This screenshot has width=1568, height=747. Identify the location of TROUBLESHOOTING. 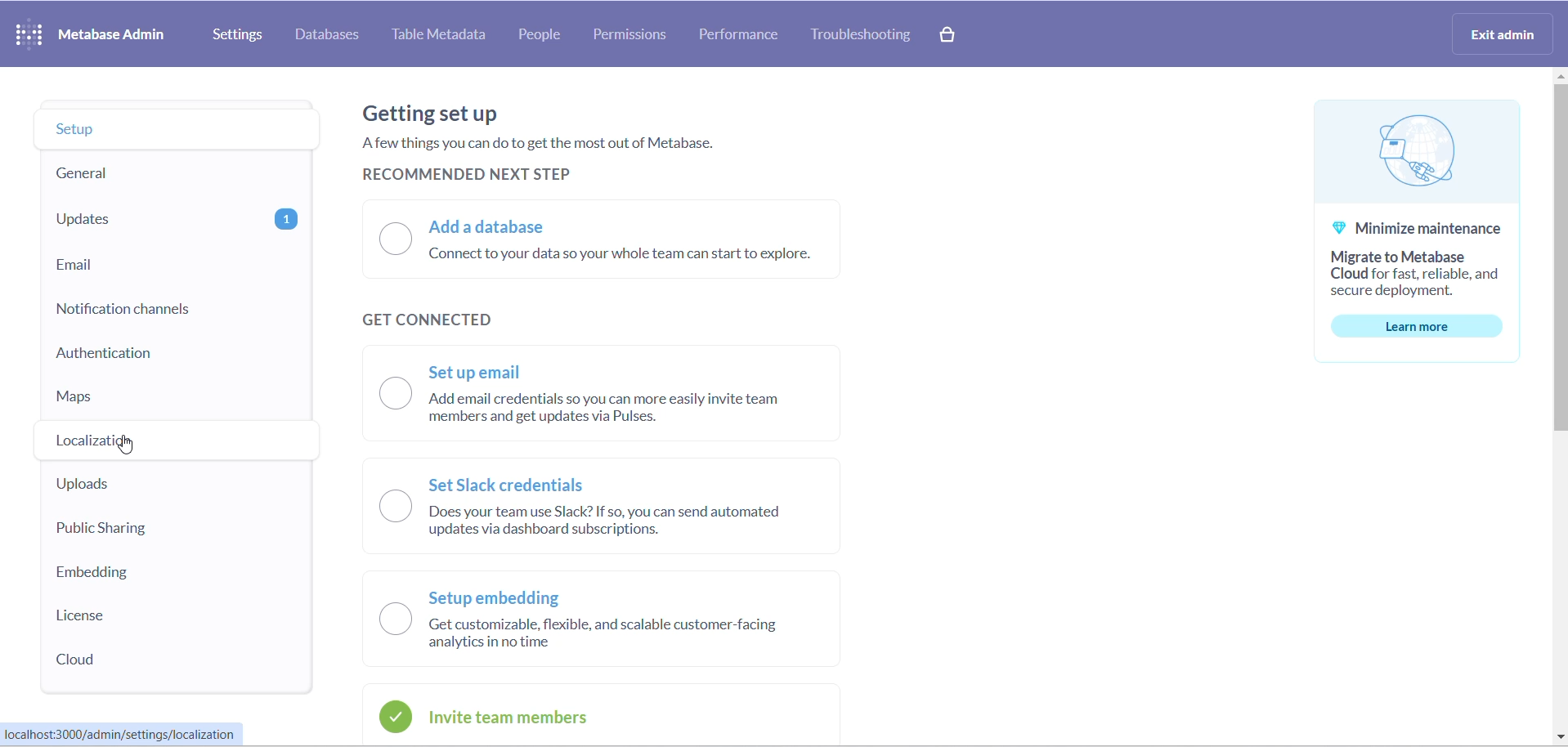
(864, 37).